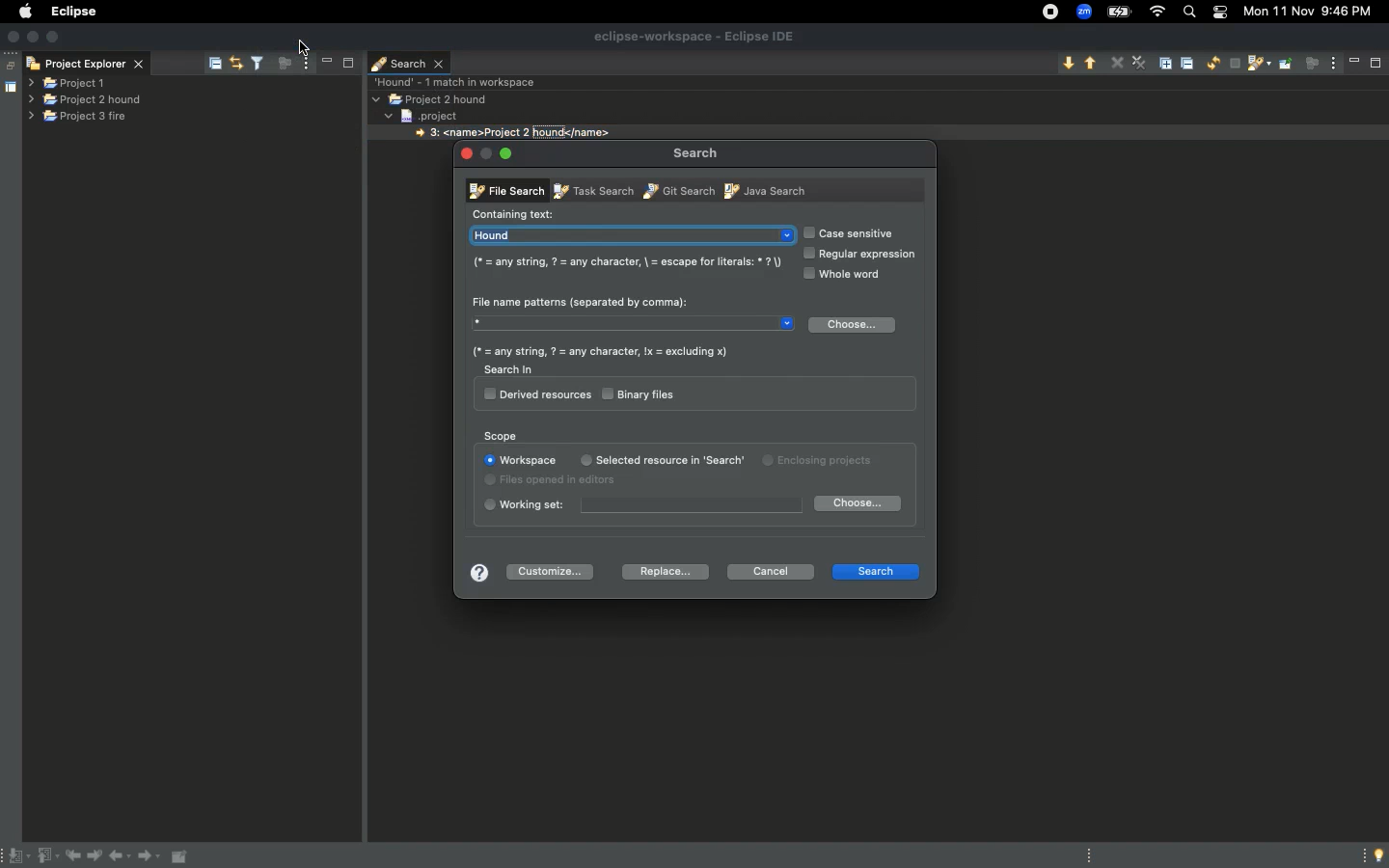 This screenshot has height=868, width=1389. Describe the element at coordinates (581, 298) in the screenshot. I see `File name patterns (seperated by comma):` at that location.